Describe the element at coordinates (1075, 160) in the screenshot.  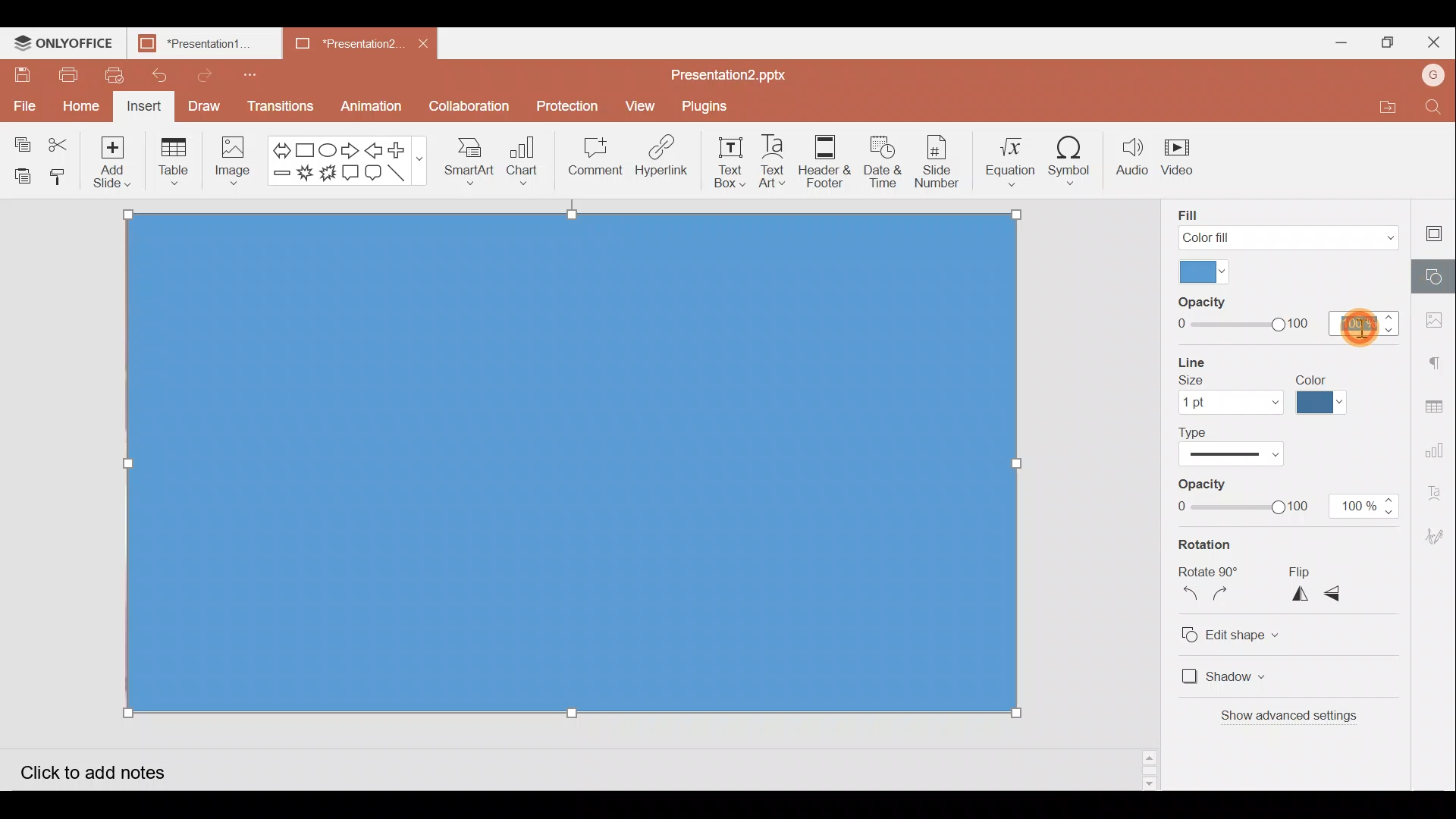
I see `Symbol` at that location.